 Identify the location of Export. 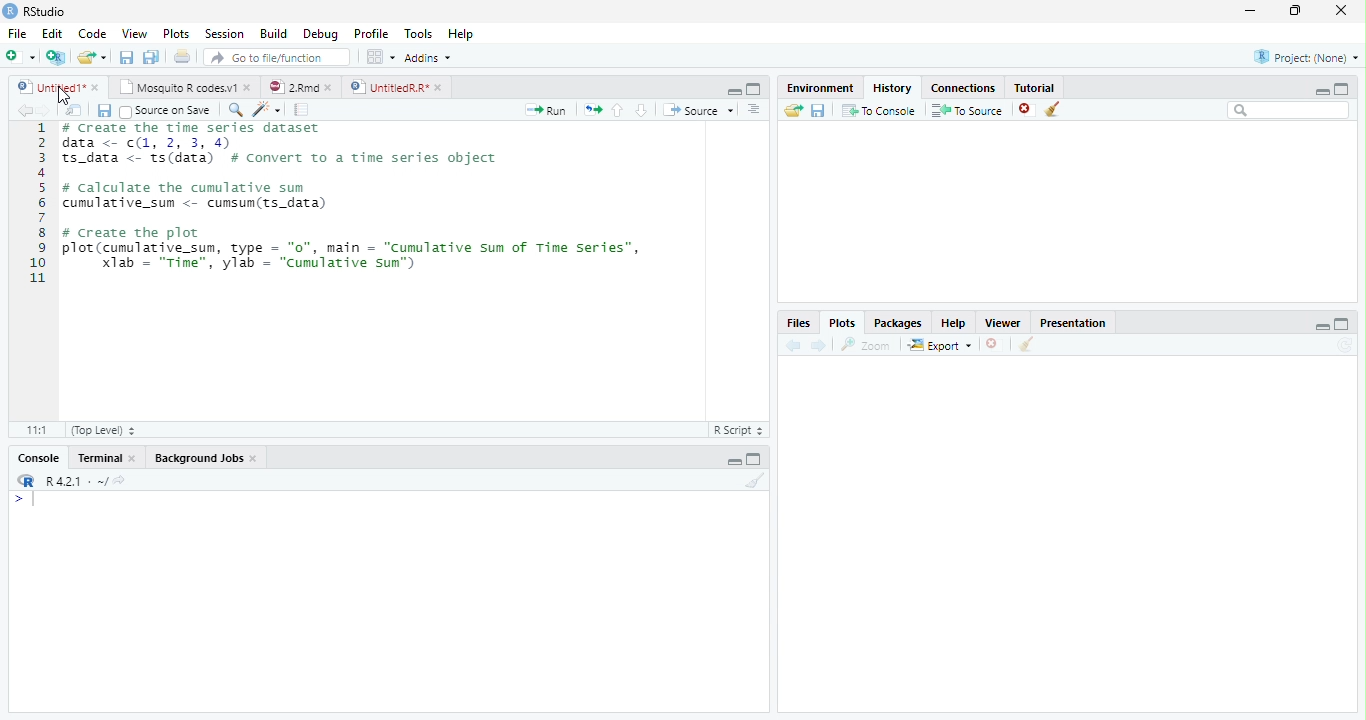
(939, 347).